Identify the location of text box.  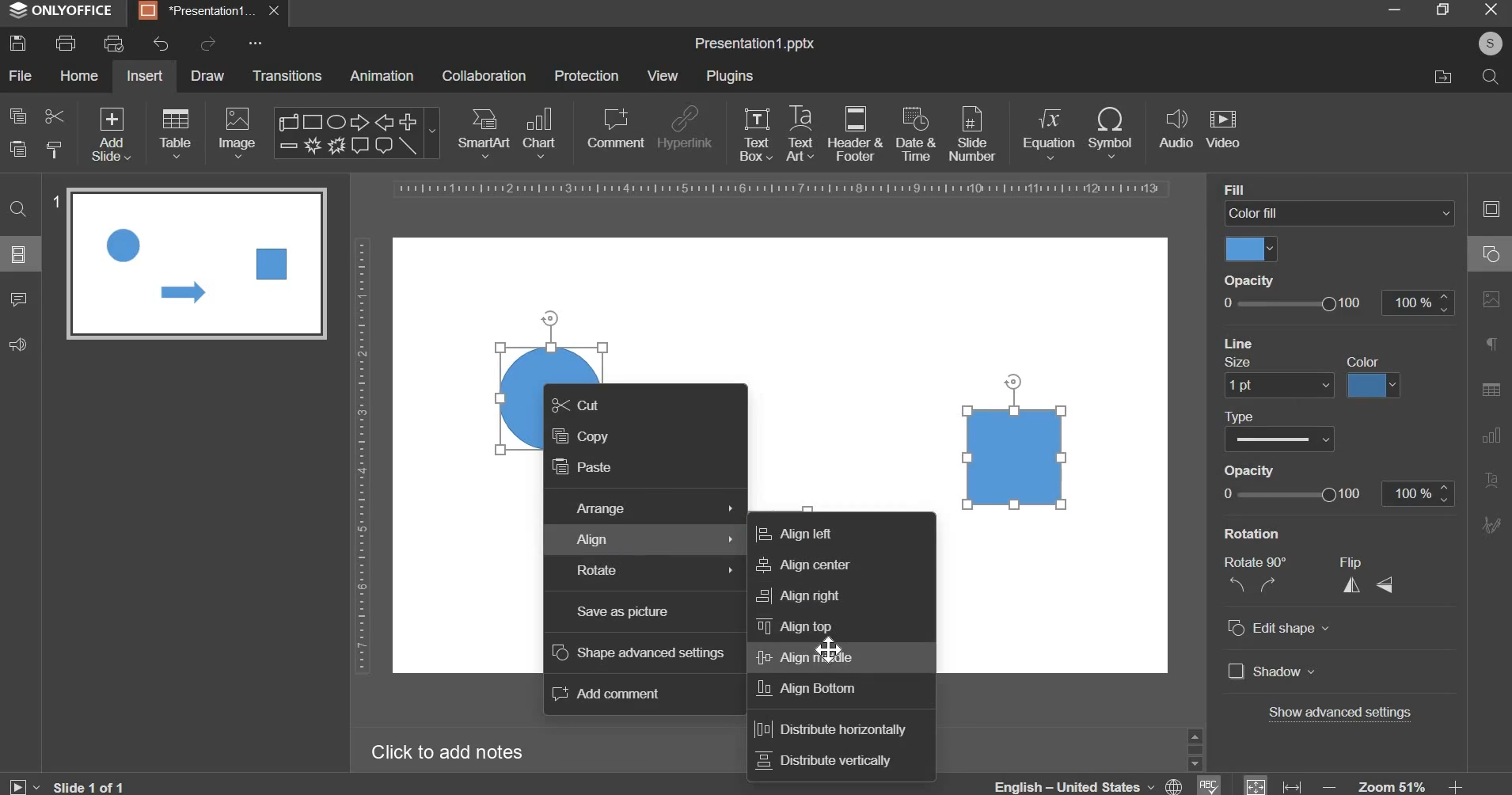
(756, 134).